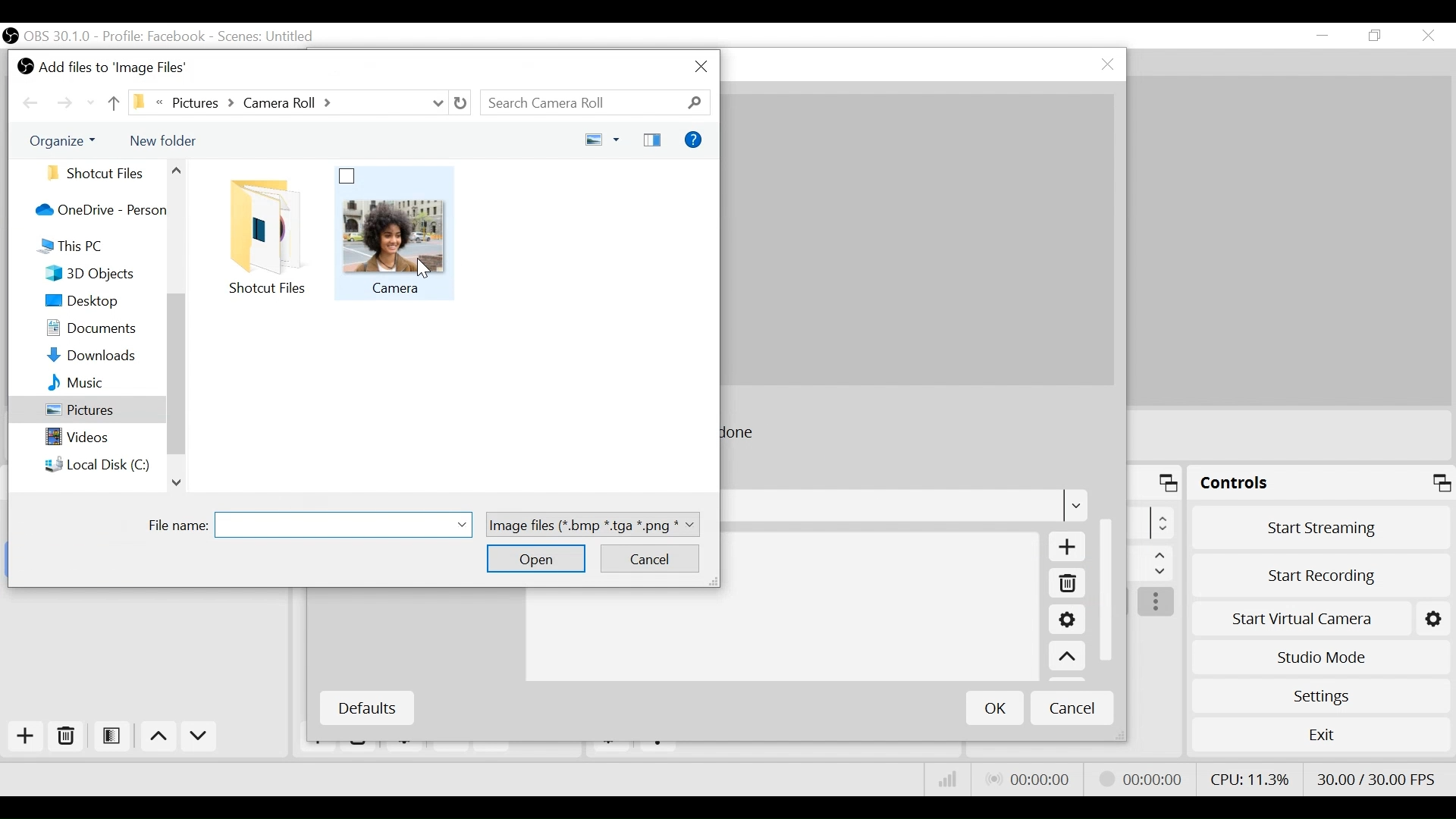 The height and width of the screenshot is (819, 1456). I want to click on Frame Per Second, so click(1376, 776).